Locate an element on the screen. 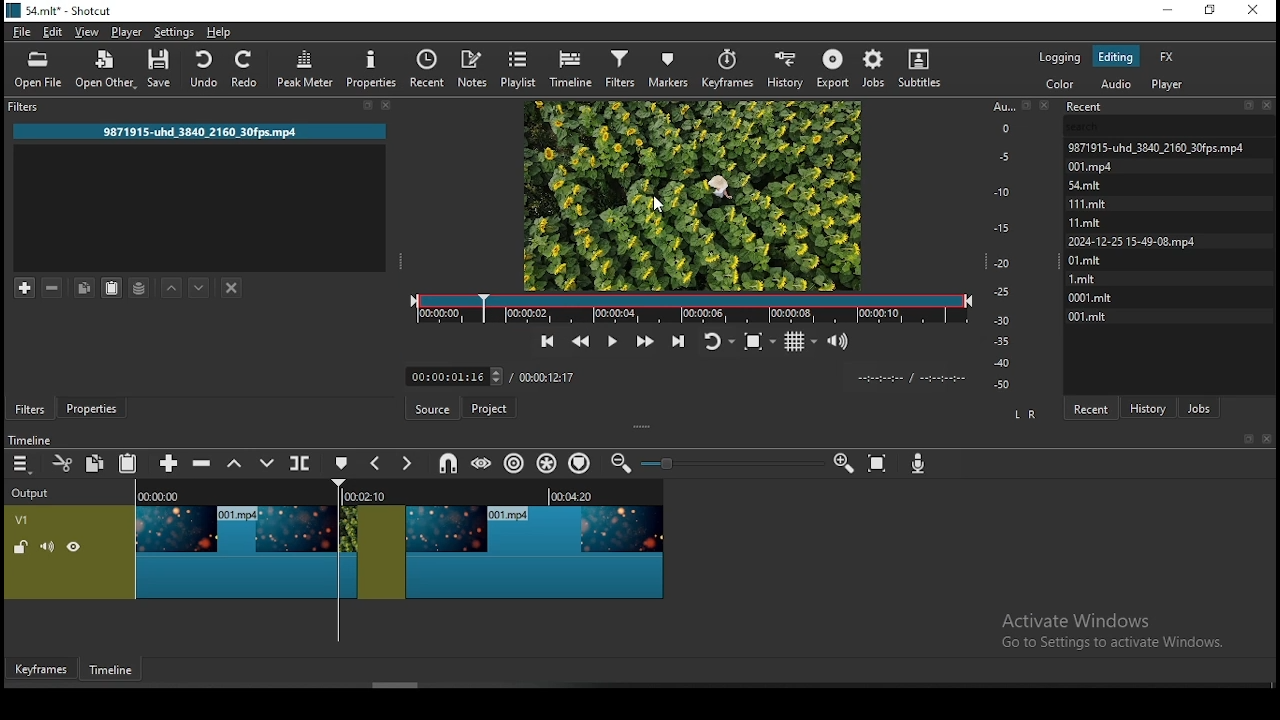 This screenshot has width=1280, height=720. L R is located at coordinates (1026, 416).